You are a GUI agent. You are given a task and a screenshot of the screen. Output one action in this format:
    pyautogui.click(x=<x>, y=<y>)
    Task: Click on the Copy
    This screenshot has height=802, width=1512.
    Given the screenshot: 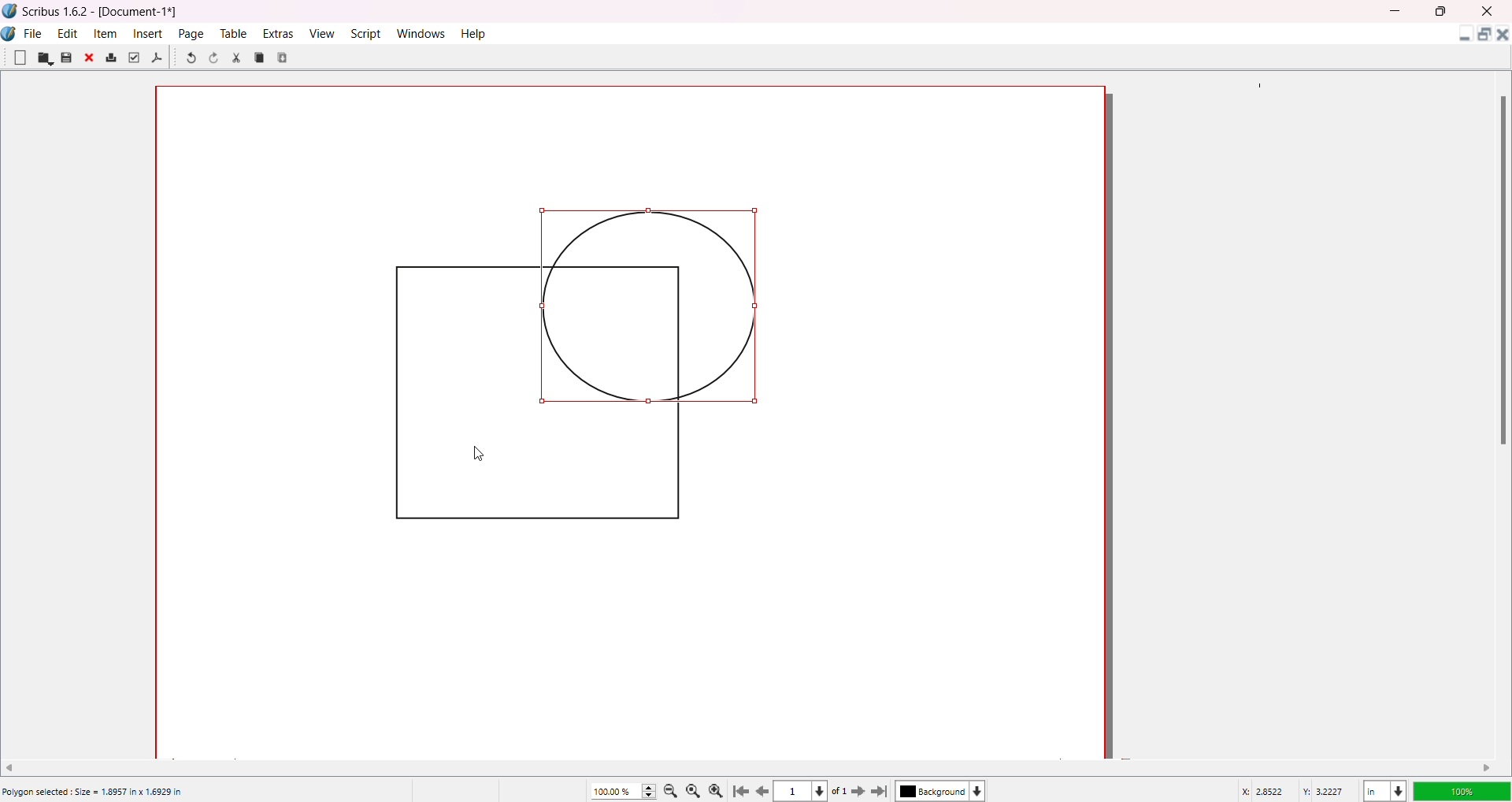 What is the action you would take?
    pyautogui.click(x=260, y=57)
    